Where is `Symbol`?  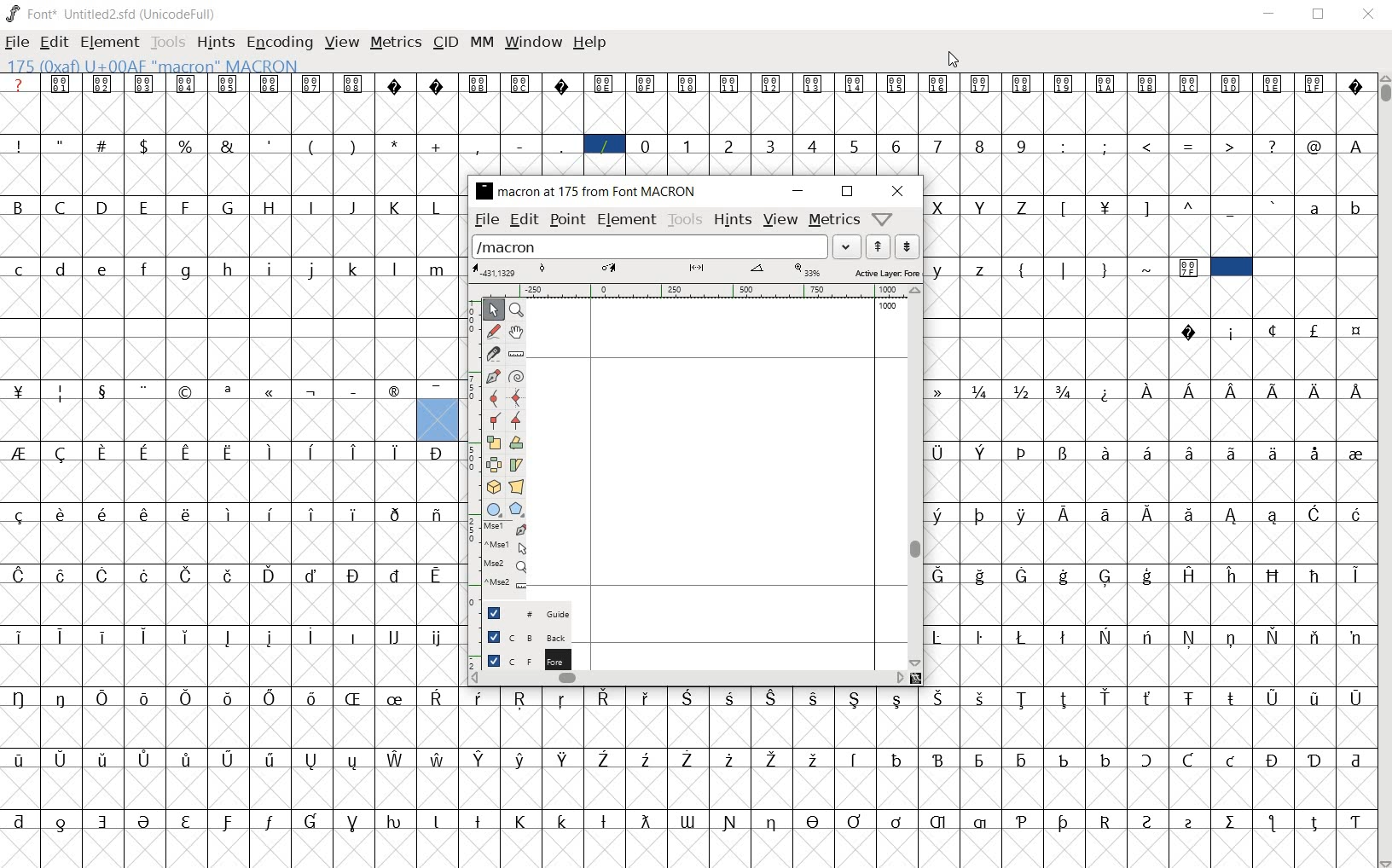
Symbol is located at coordinates (731, 83).